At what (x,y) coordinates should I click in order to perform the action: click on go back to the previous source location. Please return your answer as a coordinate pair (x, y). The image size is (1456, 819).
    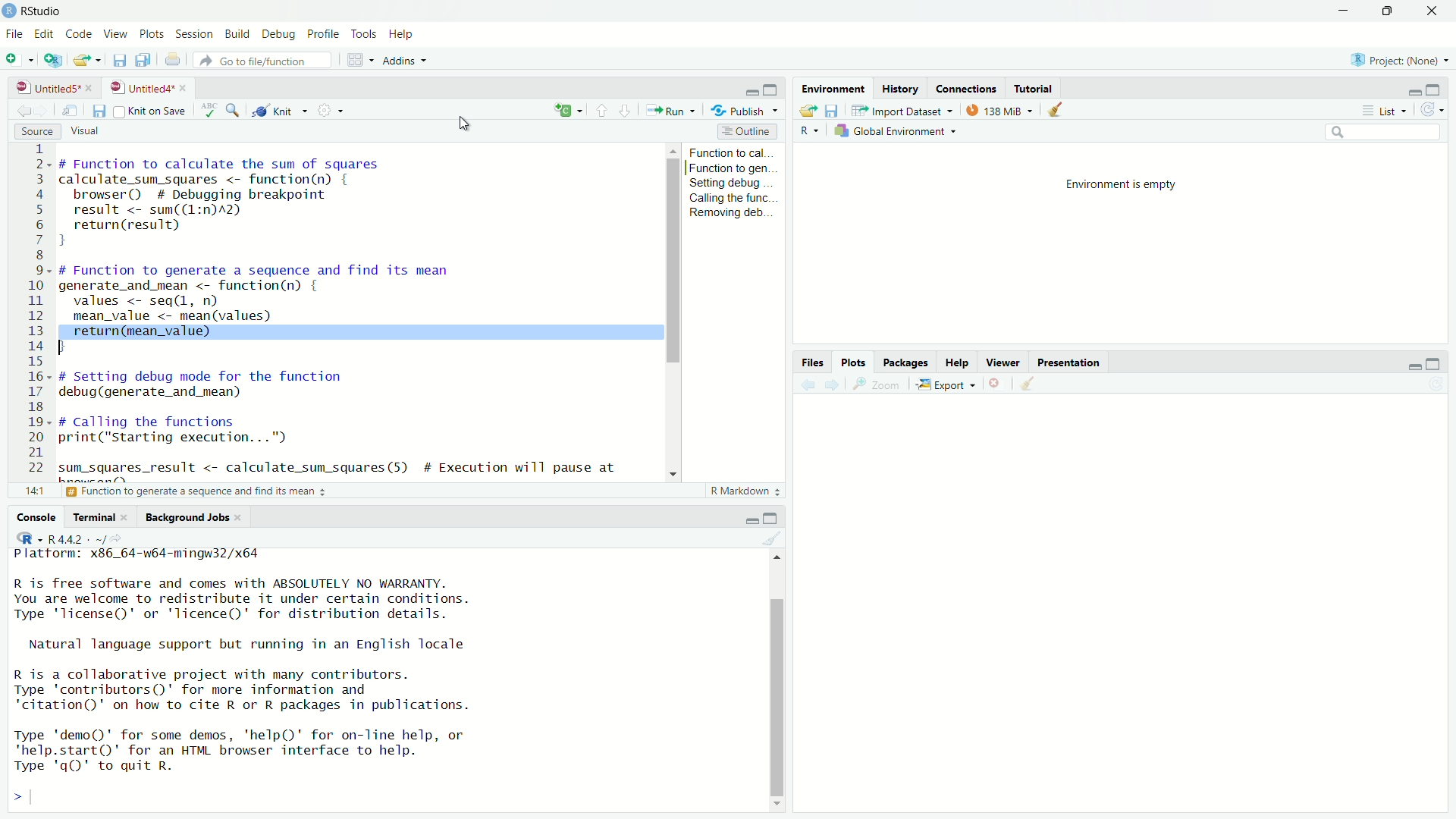
    Looking at the image, I should click on (17, 110).